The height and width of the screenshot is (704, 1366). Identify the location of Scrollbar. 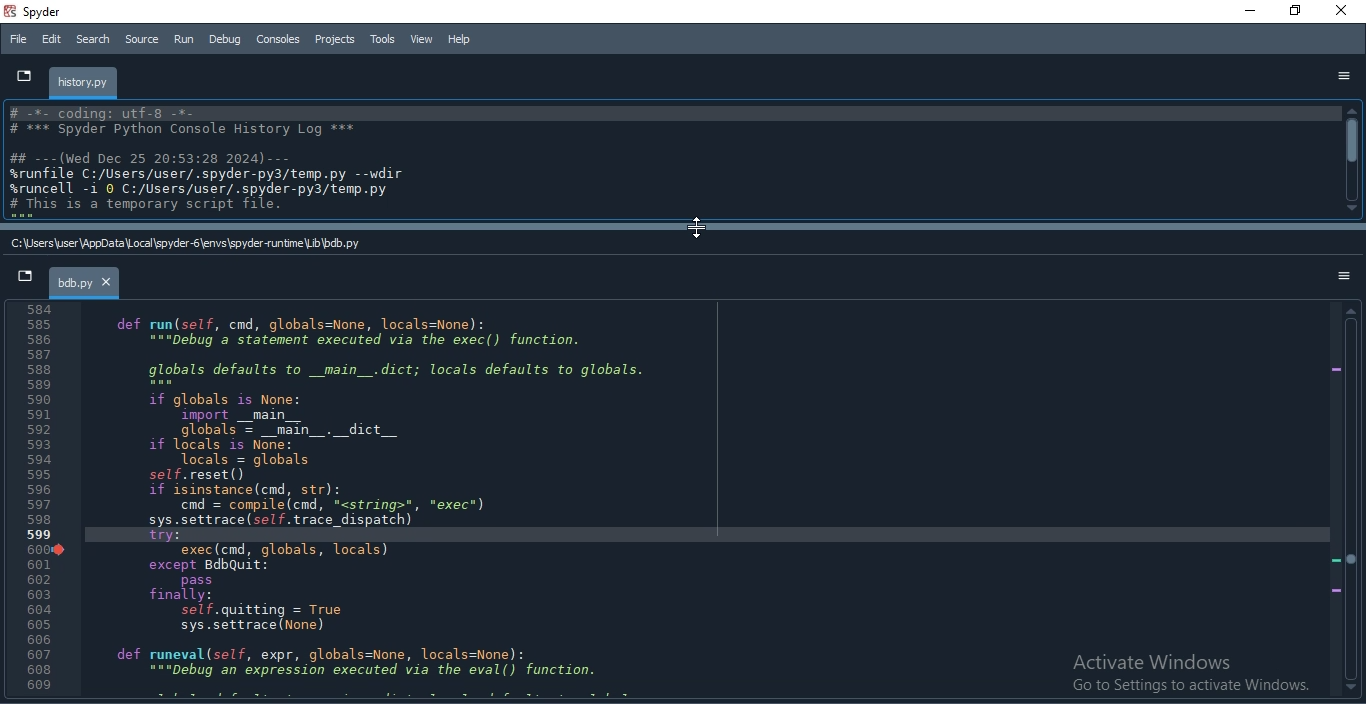
(1352, 160).